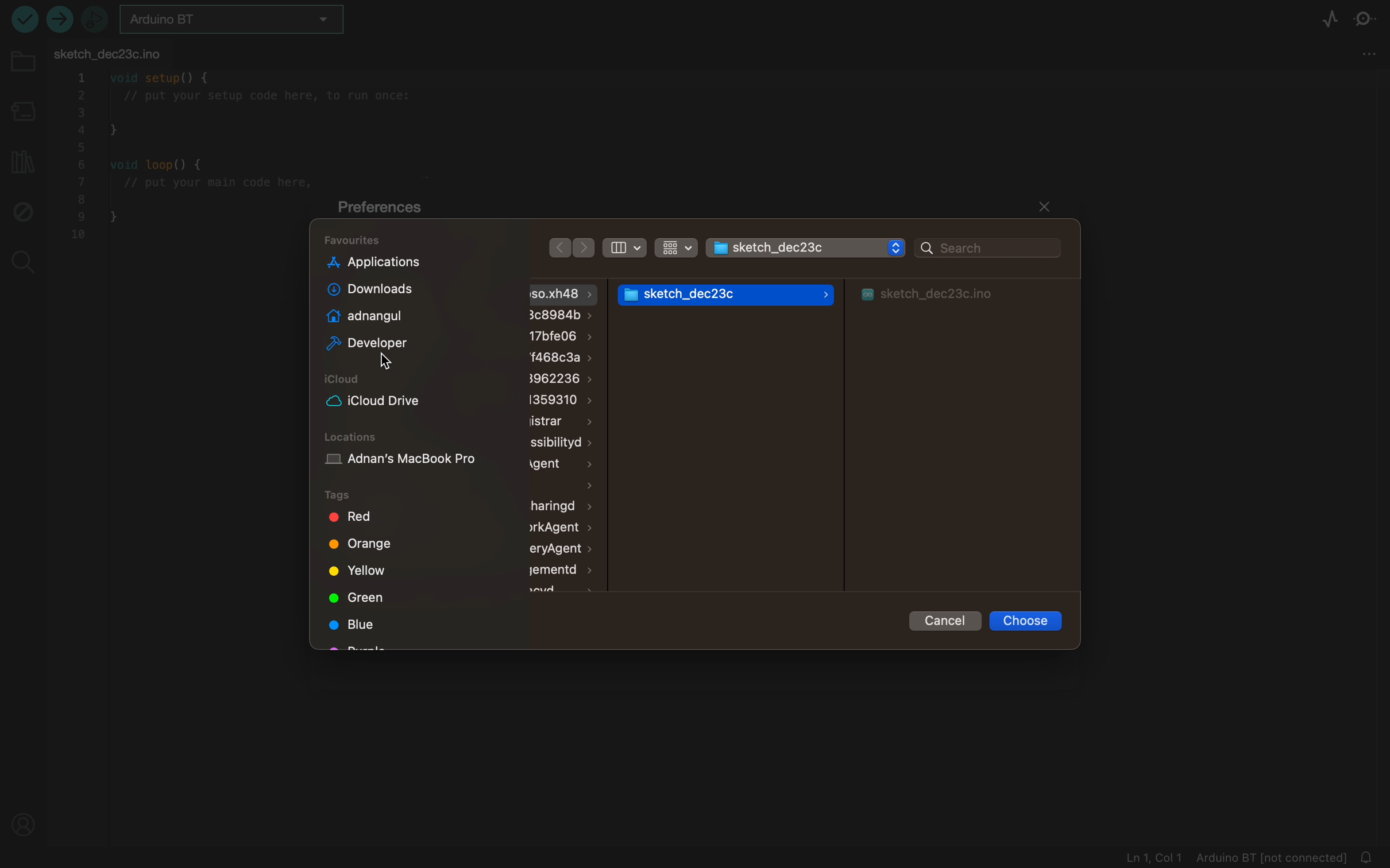  Describe the element at coordinates (353, 599) in the screenshot. I see `green` at that location.